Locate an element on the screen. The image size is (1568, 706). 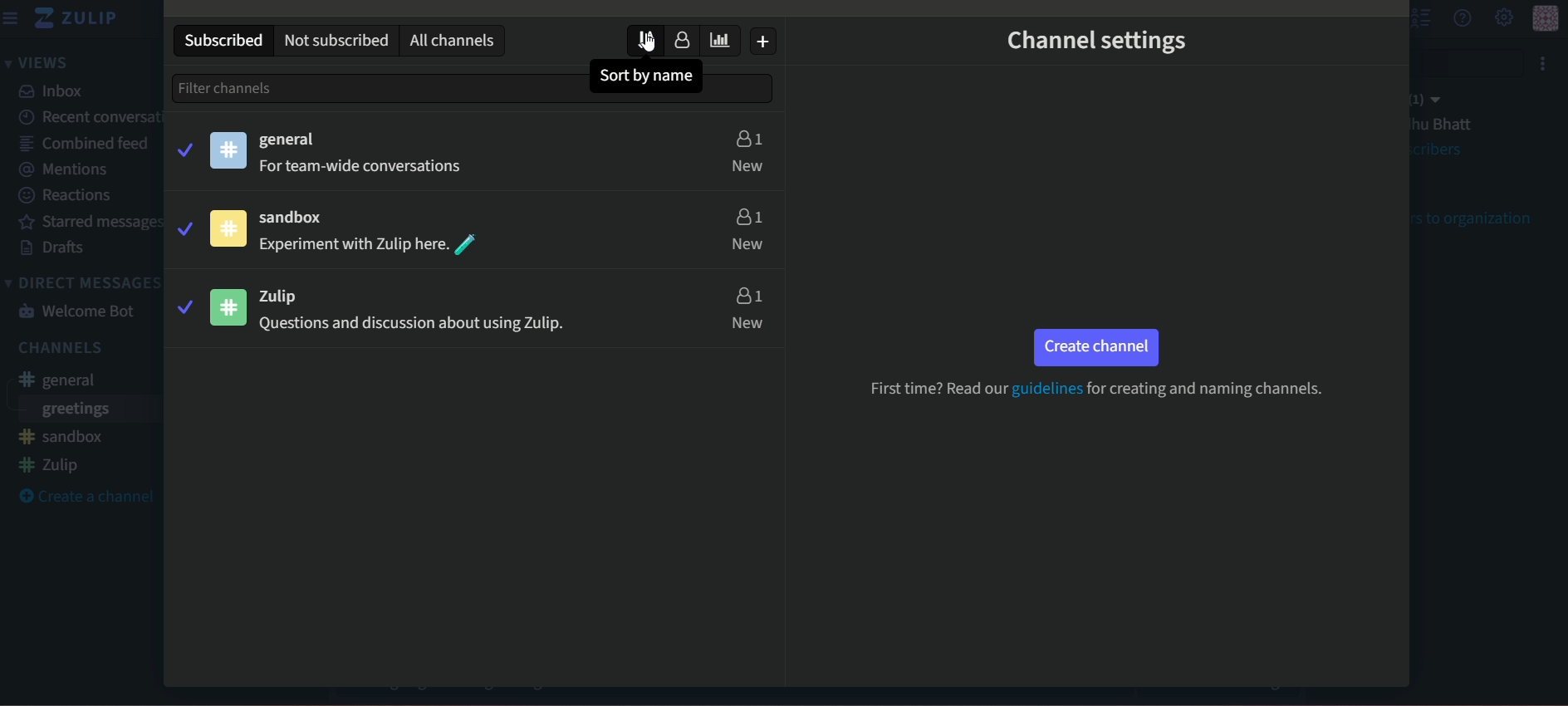
tick is located at coordinates (183, 228).